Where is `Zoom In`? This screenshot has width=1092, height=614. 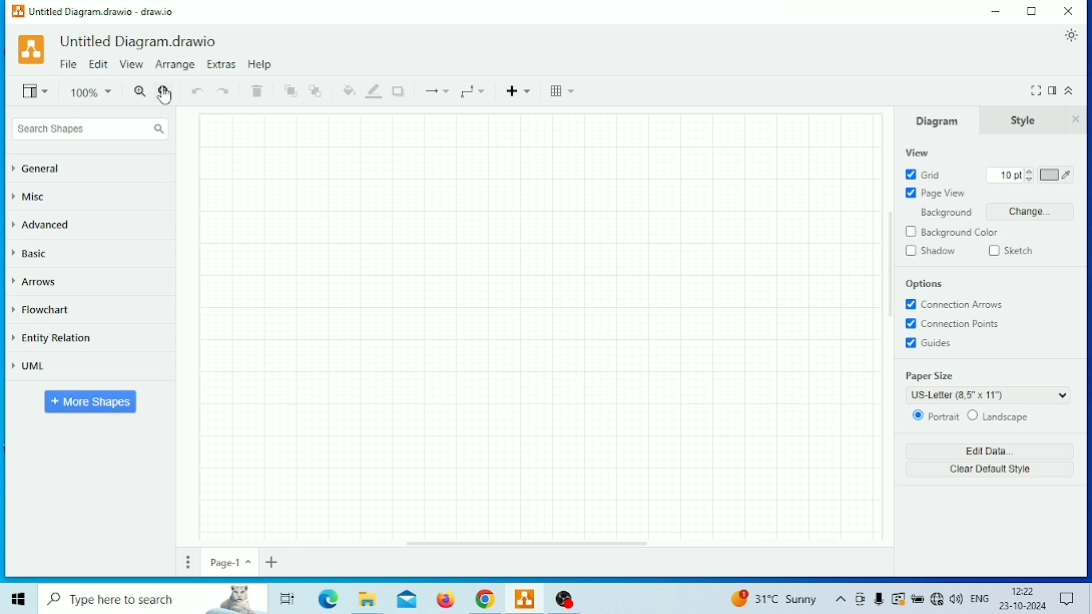 Zoom In is located at coordinates (140, 91).